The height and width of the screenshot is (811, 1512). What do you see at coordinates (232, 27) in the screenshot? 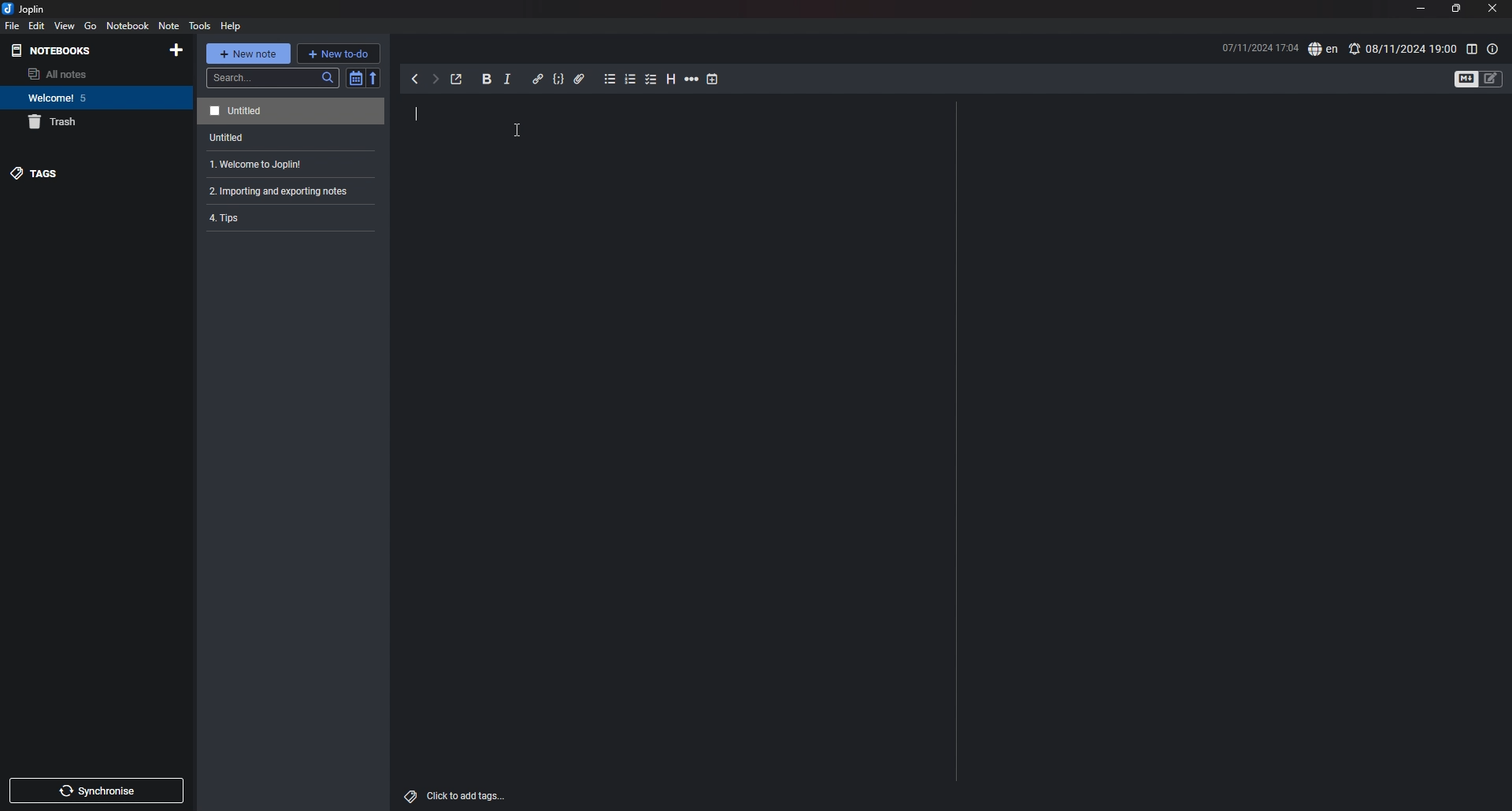
I see `help` at bounding box center [232, 27].